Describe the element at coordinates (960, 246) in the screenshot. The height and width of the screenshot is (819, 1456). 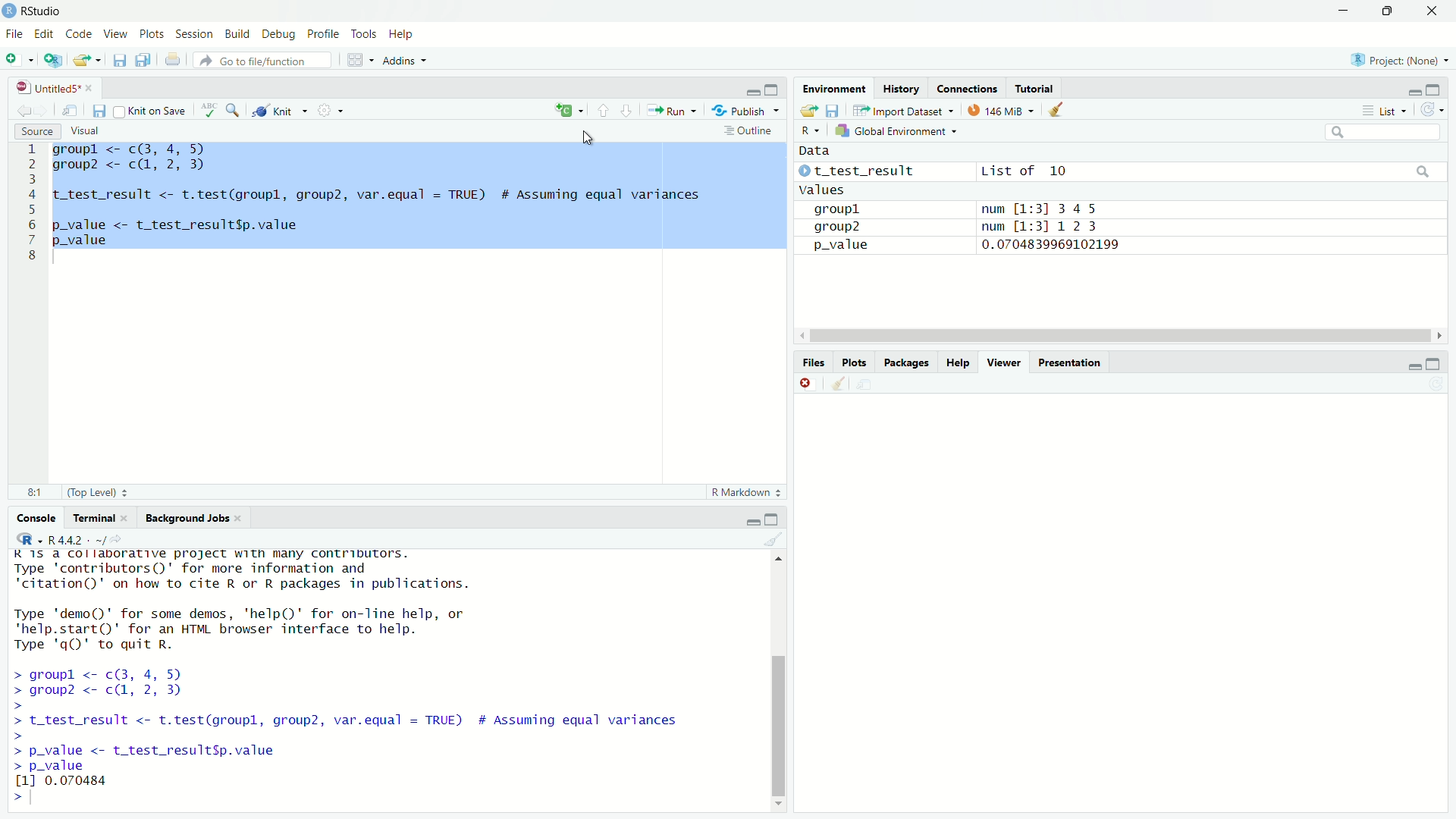
I see `p_value 0.0704839969102199` at that location.